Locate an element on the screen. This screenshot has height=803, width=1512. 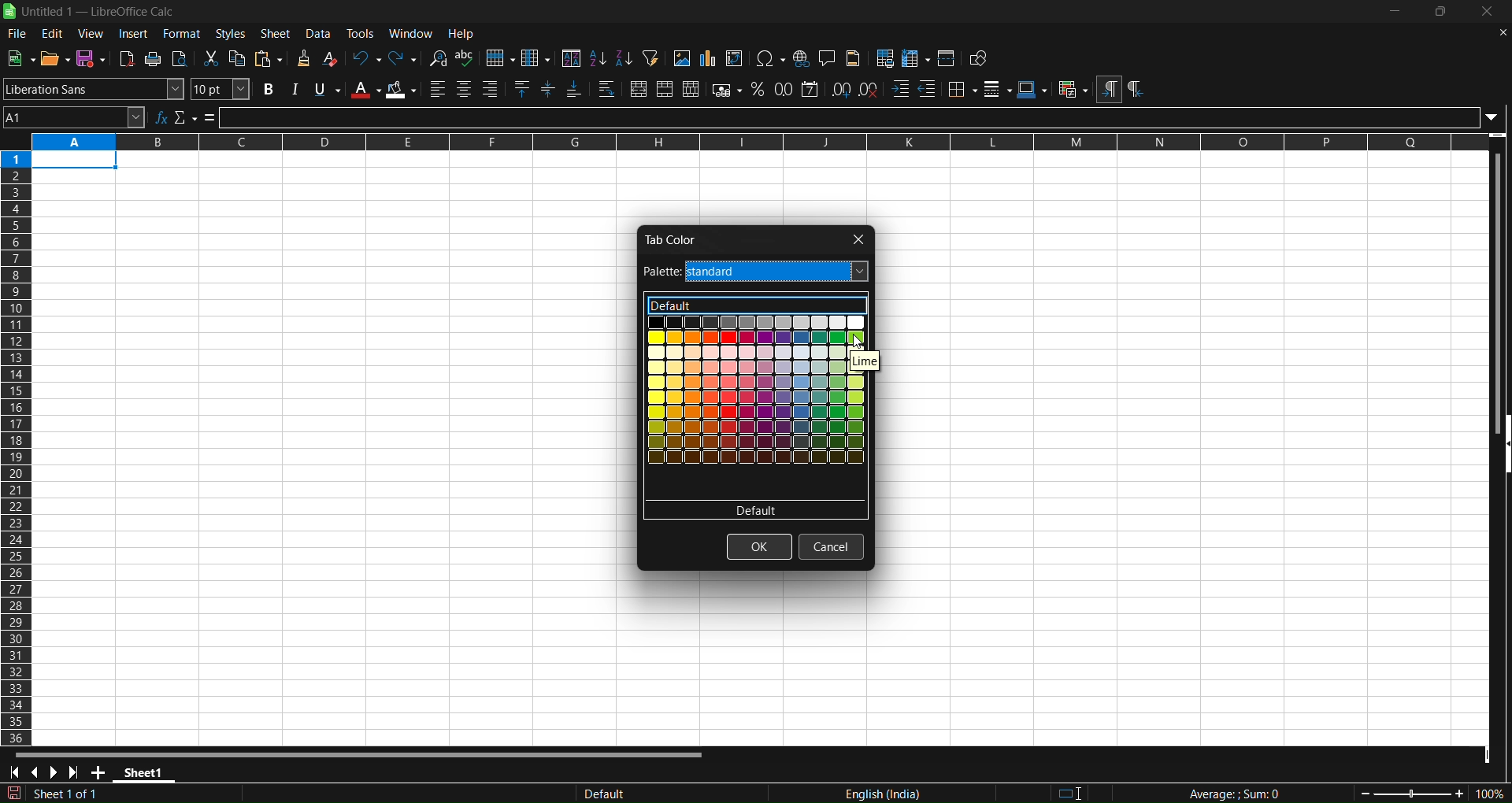
add decimal place is located at coordinates (843, 88).